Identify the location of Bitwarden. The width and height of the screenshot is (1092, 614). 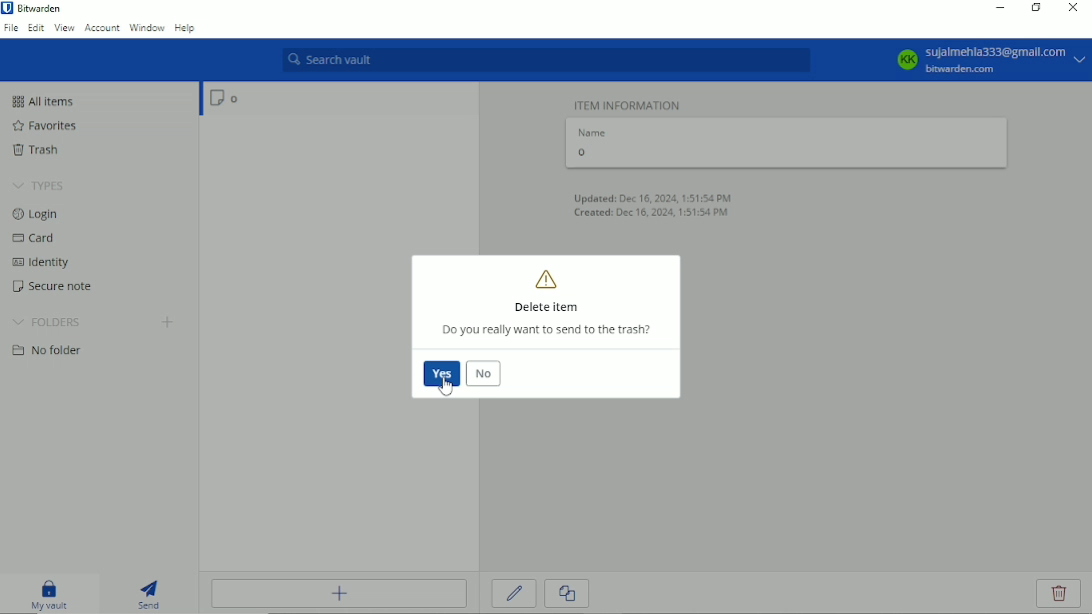
(45, 9).